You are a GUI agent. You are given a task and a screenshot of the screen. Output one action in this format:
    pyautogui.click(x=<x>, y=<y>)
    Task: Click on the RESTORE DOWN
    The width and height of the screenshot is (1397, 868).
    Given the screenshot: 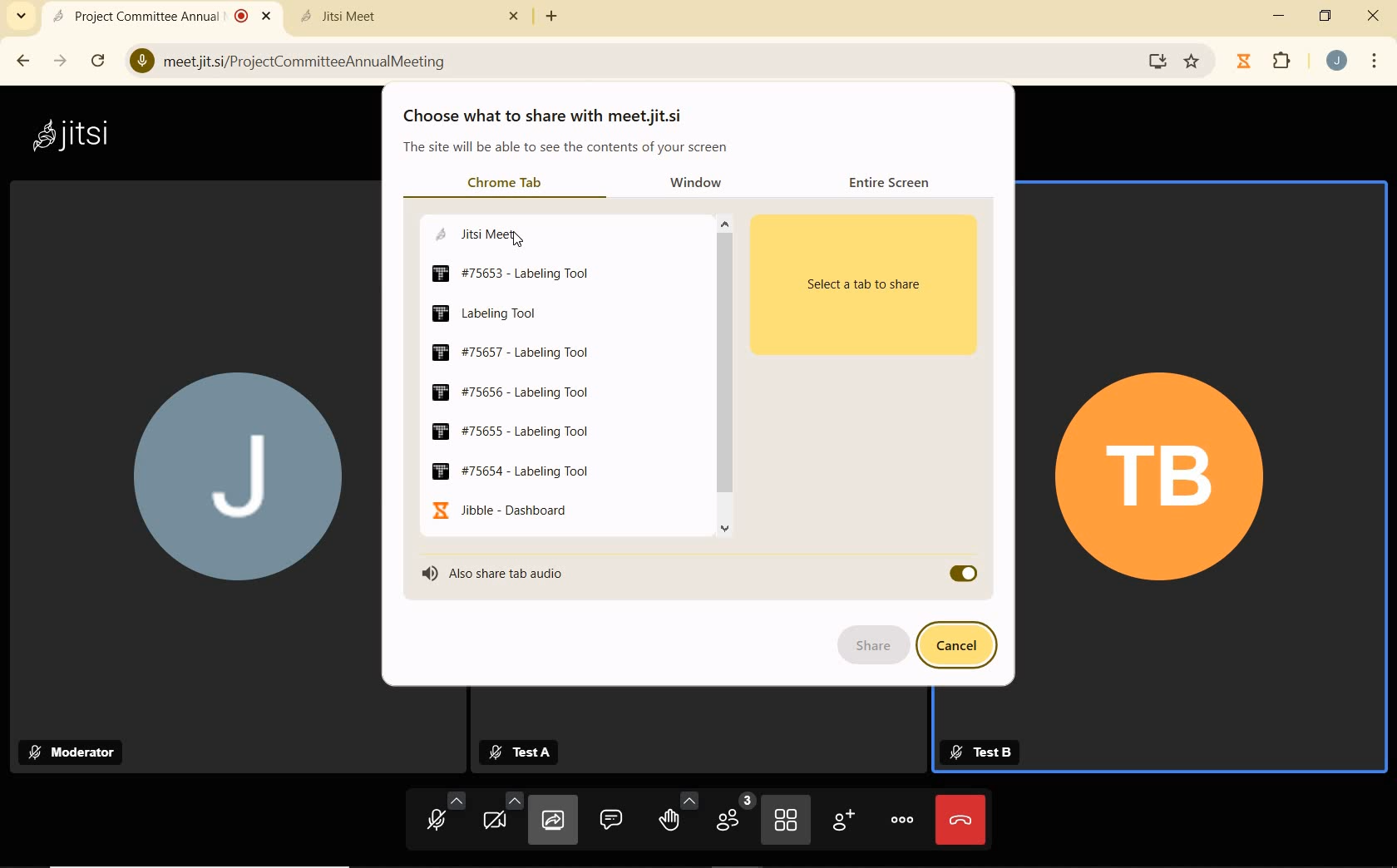 What is the action you would take?
    pyautogui.click(x=1325, y=16)
    